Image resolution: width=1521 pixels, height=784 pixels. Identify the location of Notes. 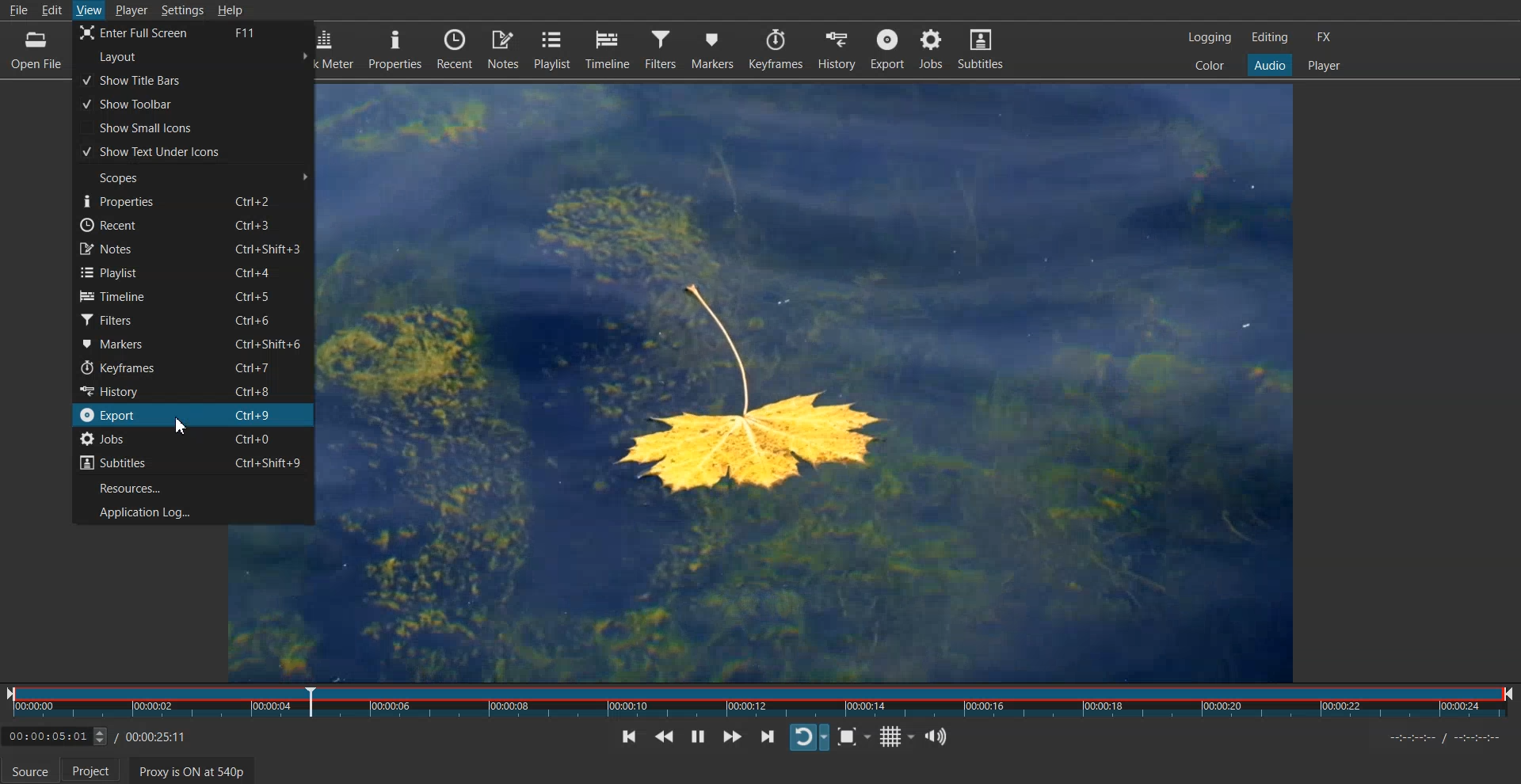
(193, 249).